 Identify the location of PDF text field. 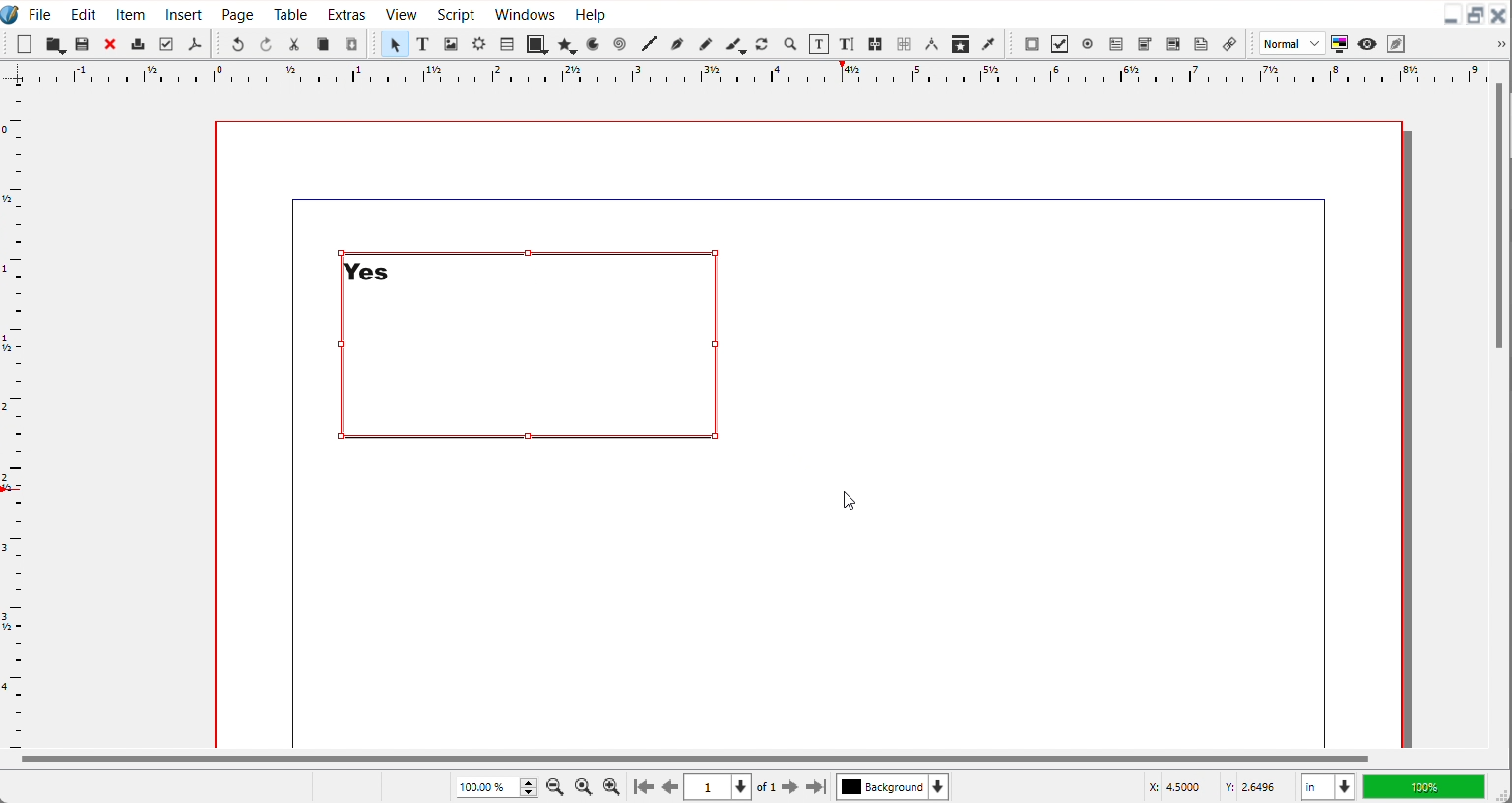
(1115, 45).